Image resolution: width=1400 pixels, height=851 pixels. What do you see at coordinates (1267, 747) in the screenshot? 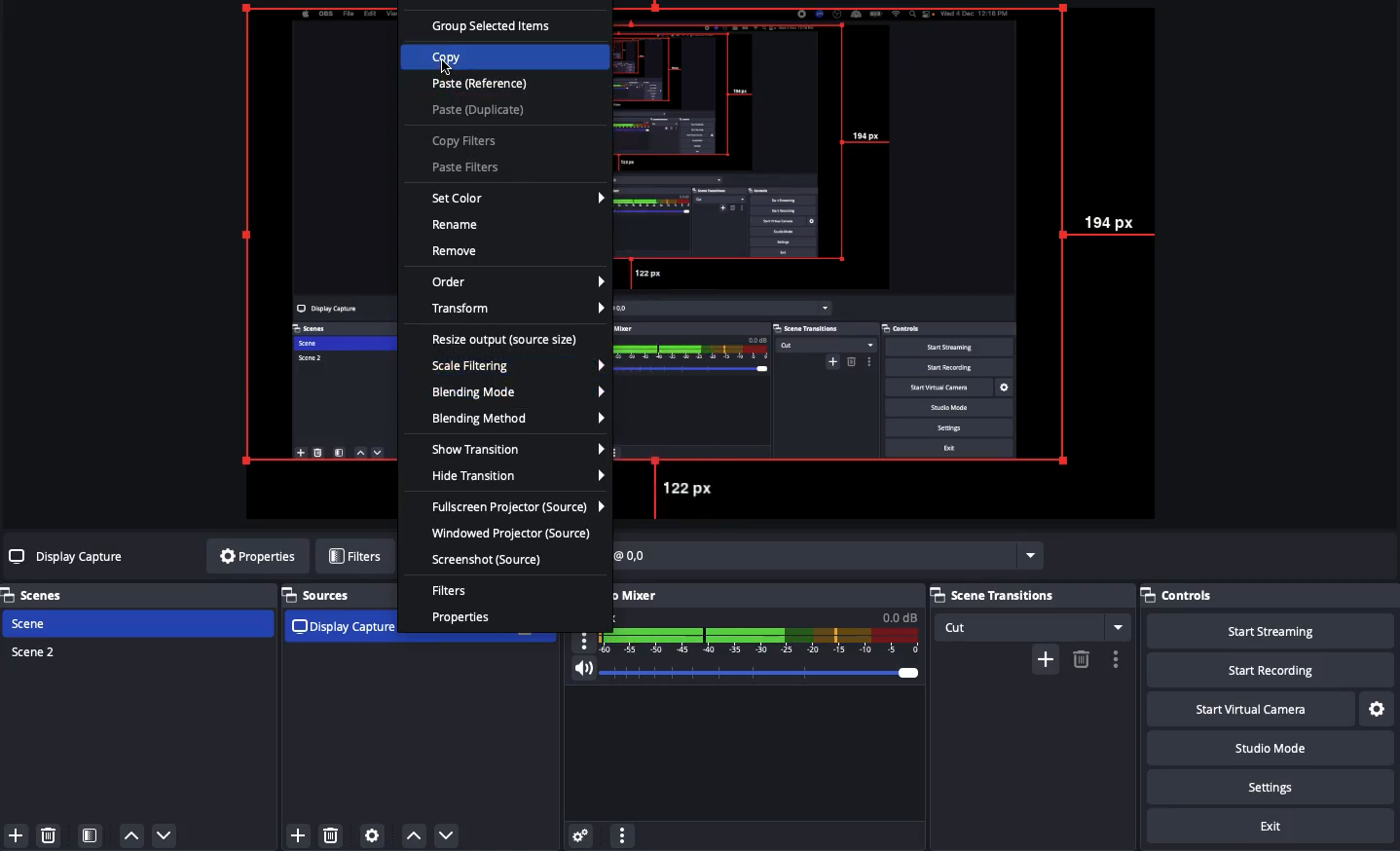
I see `Studio mode` at bounding box center [1267, 747].